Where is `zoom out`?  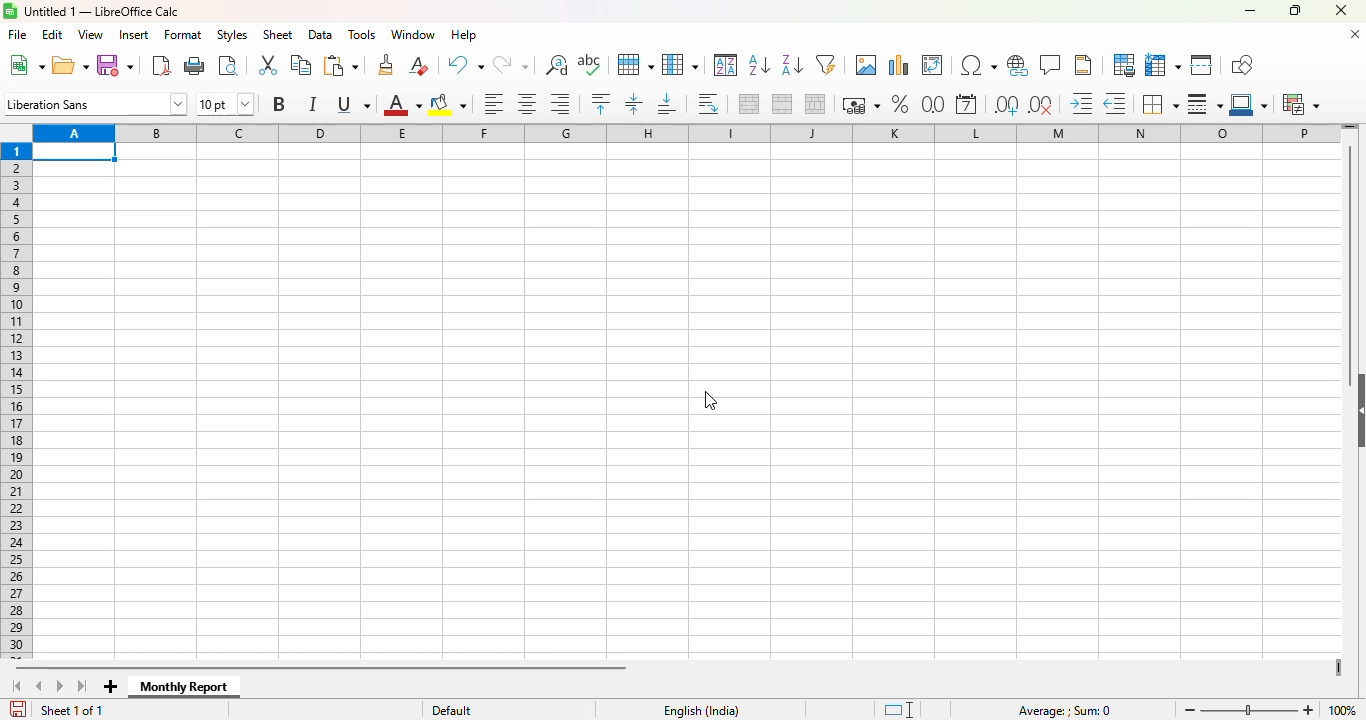
zoom out is located at coordinates (1190, 710).